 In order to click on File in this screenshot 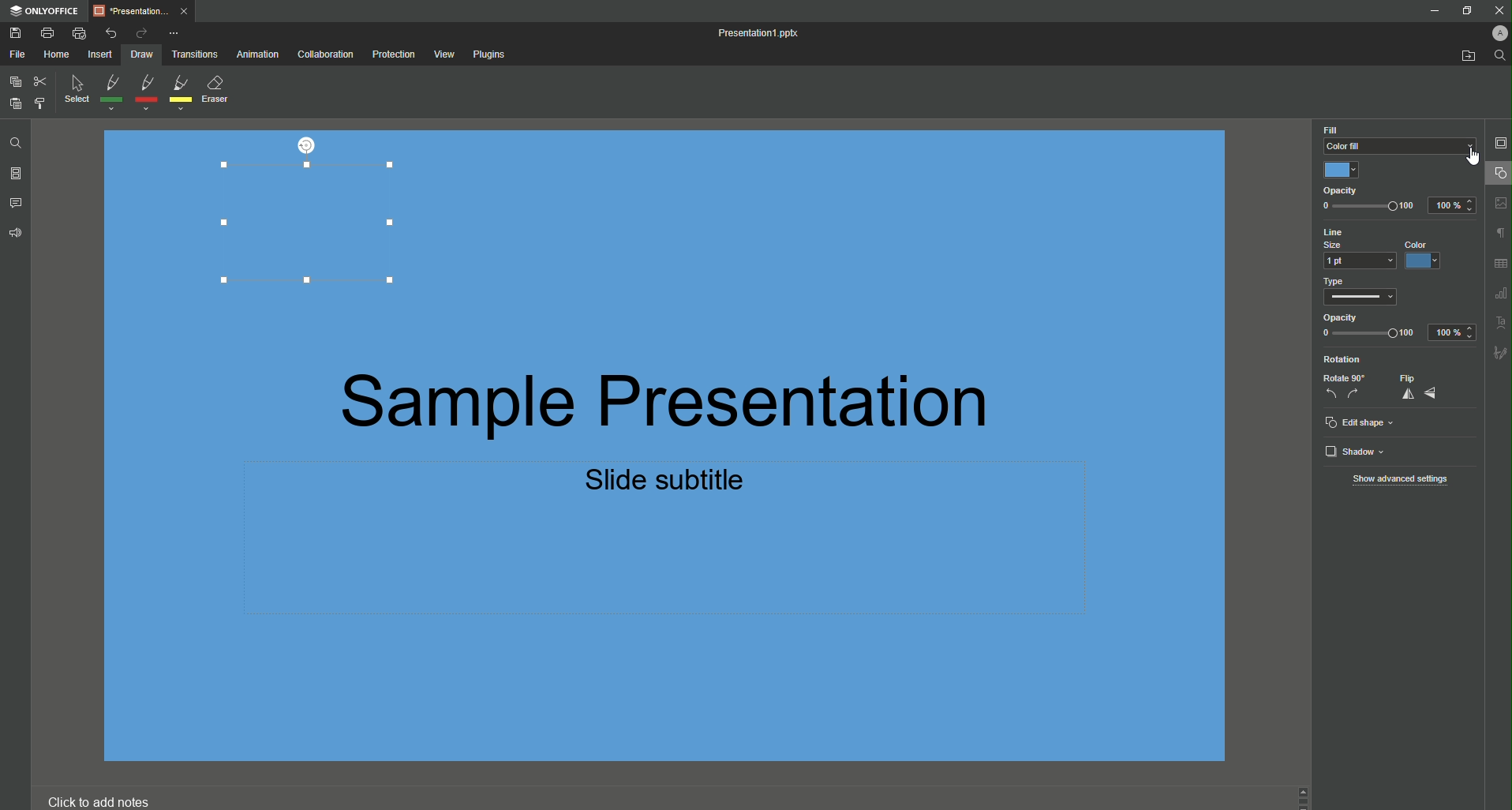, I will do `click(17, 54)`.